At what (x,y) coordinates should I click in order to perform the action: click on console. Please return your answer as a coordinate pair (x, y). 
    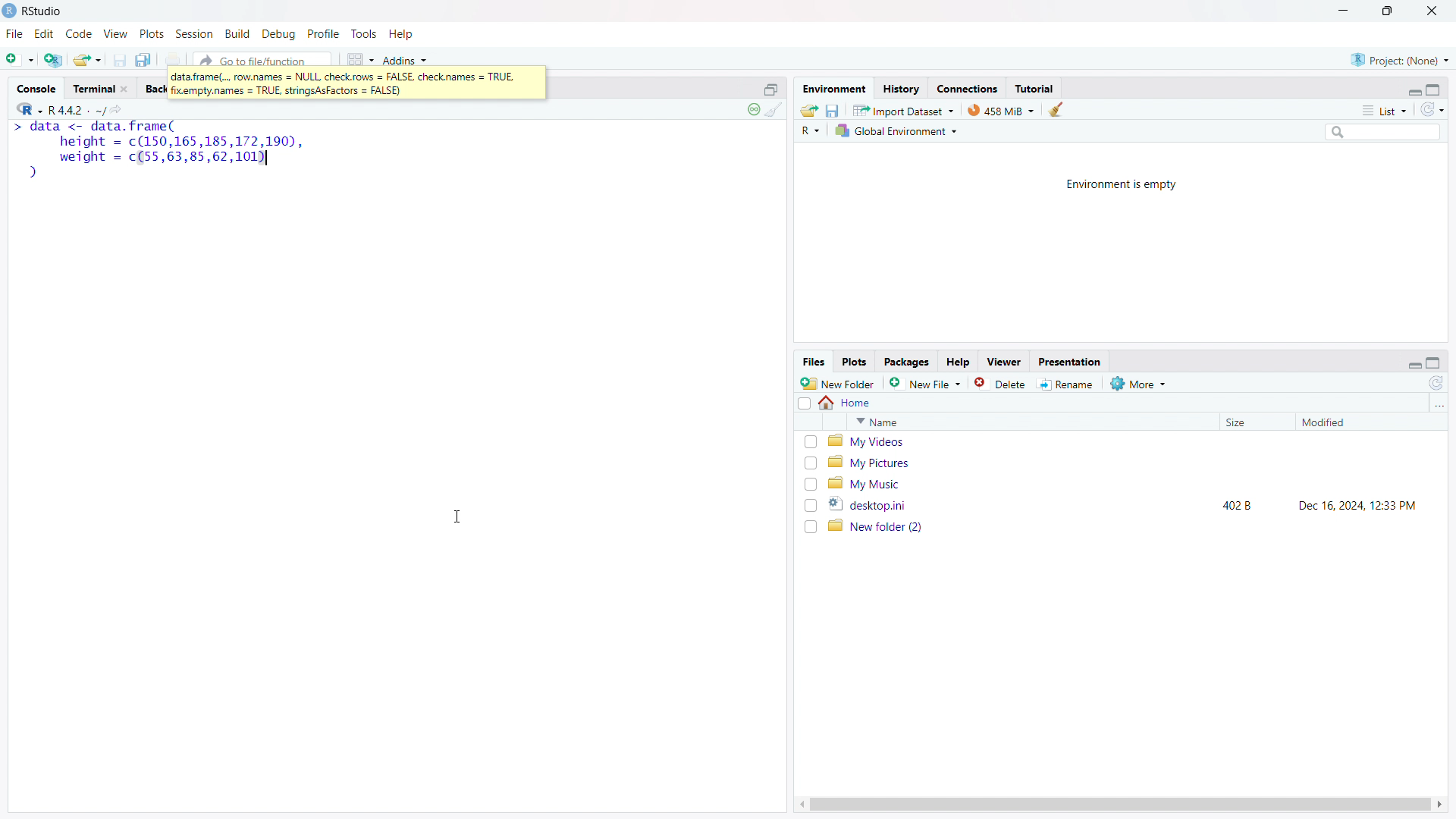
    Looking at the image, I should click on (36, 89).